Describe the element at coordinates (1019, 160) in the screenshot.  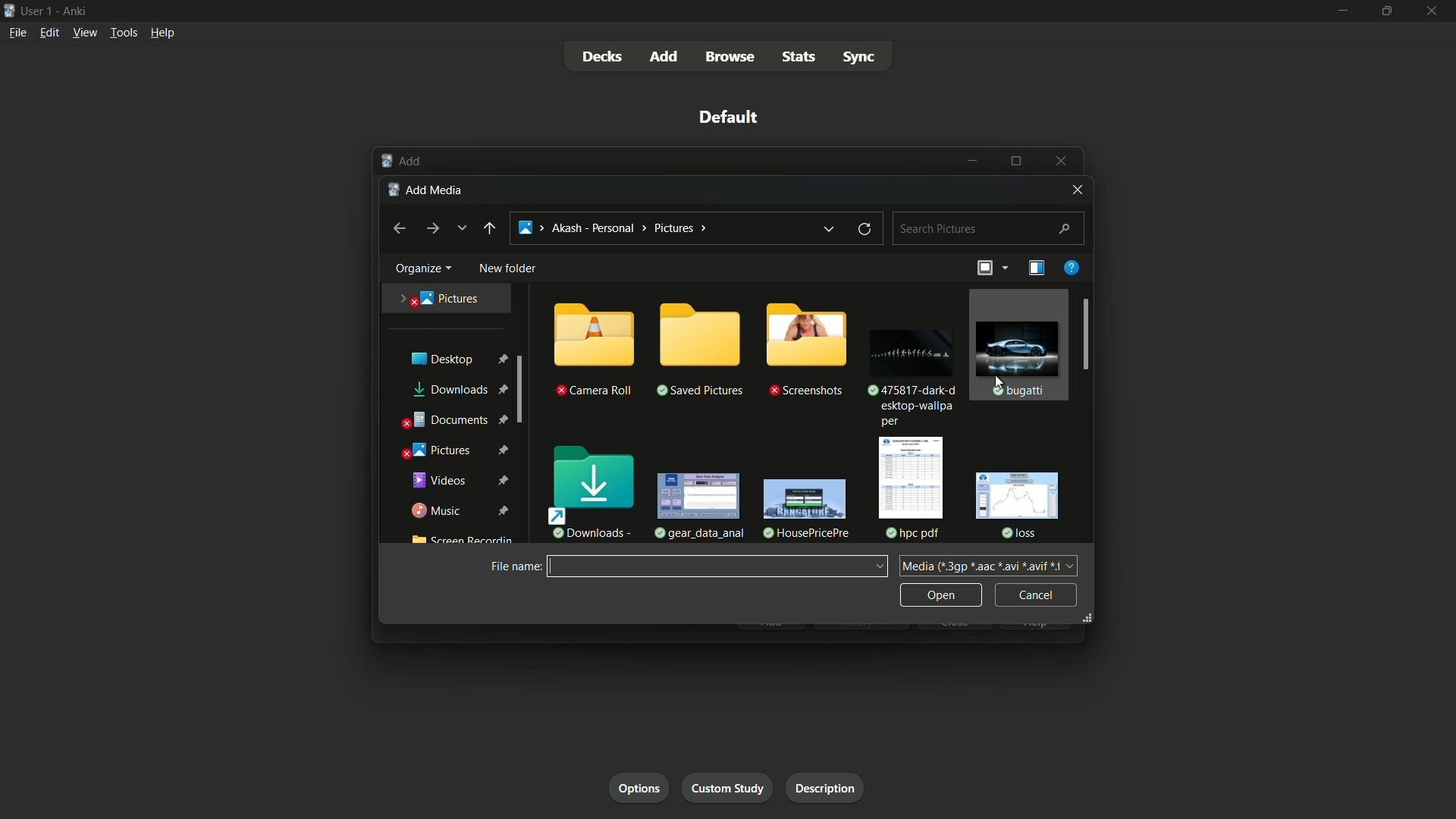
I see `Maximize` at that location.